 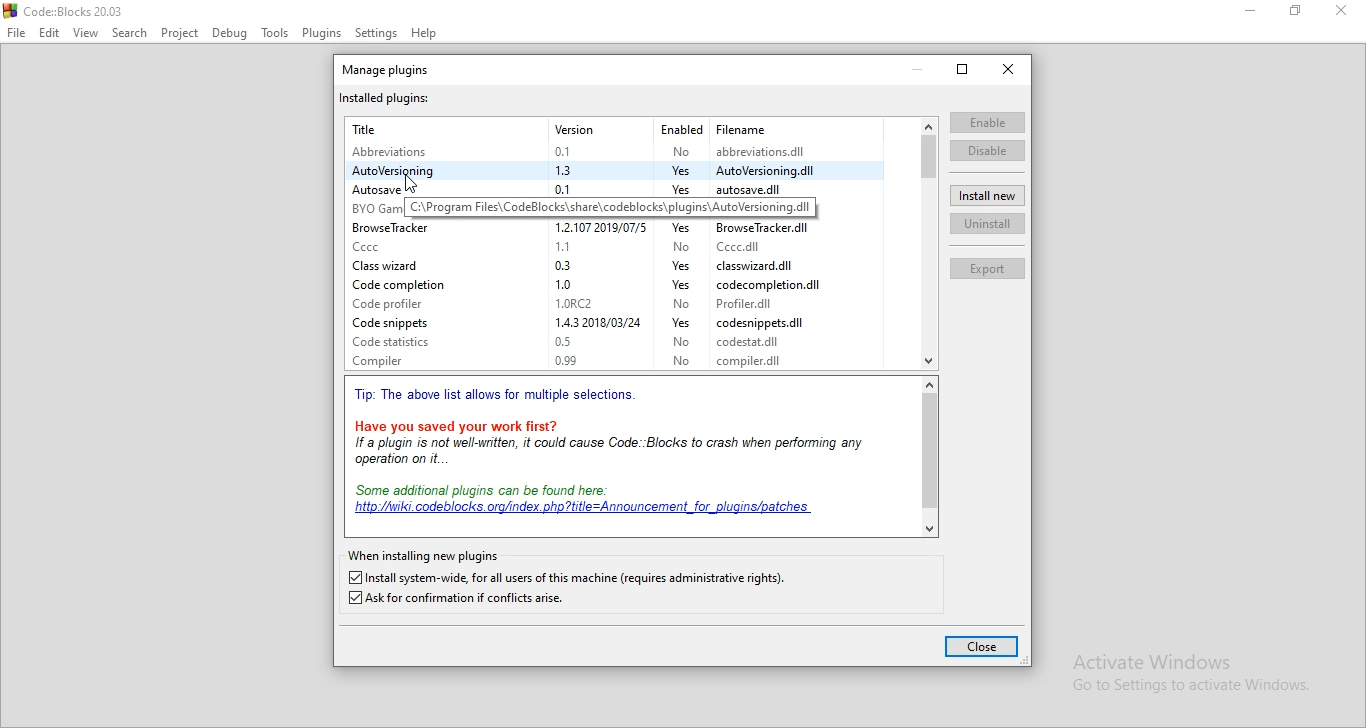 What do you see at coordinates (676, 324) in the screenshot?
I see `yes` at bounding box center [676, 324].